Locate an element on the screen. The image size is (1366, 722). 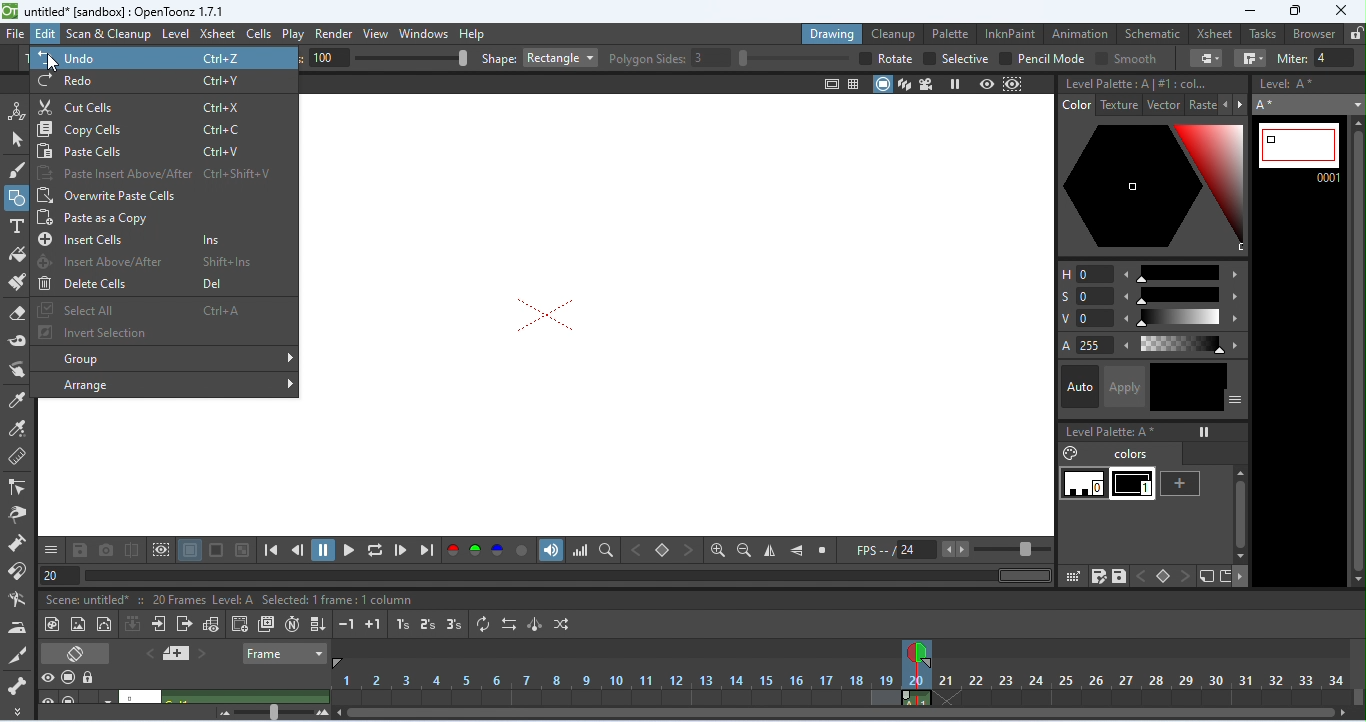
title is located at coordinates (115, 10).